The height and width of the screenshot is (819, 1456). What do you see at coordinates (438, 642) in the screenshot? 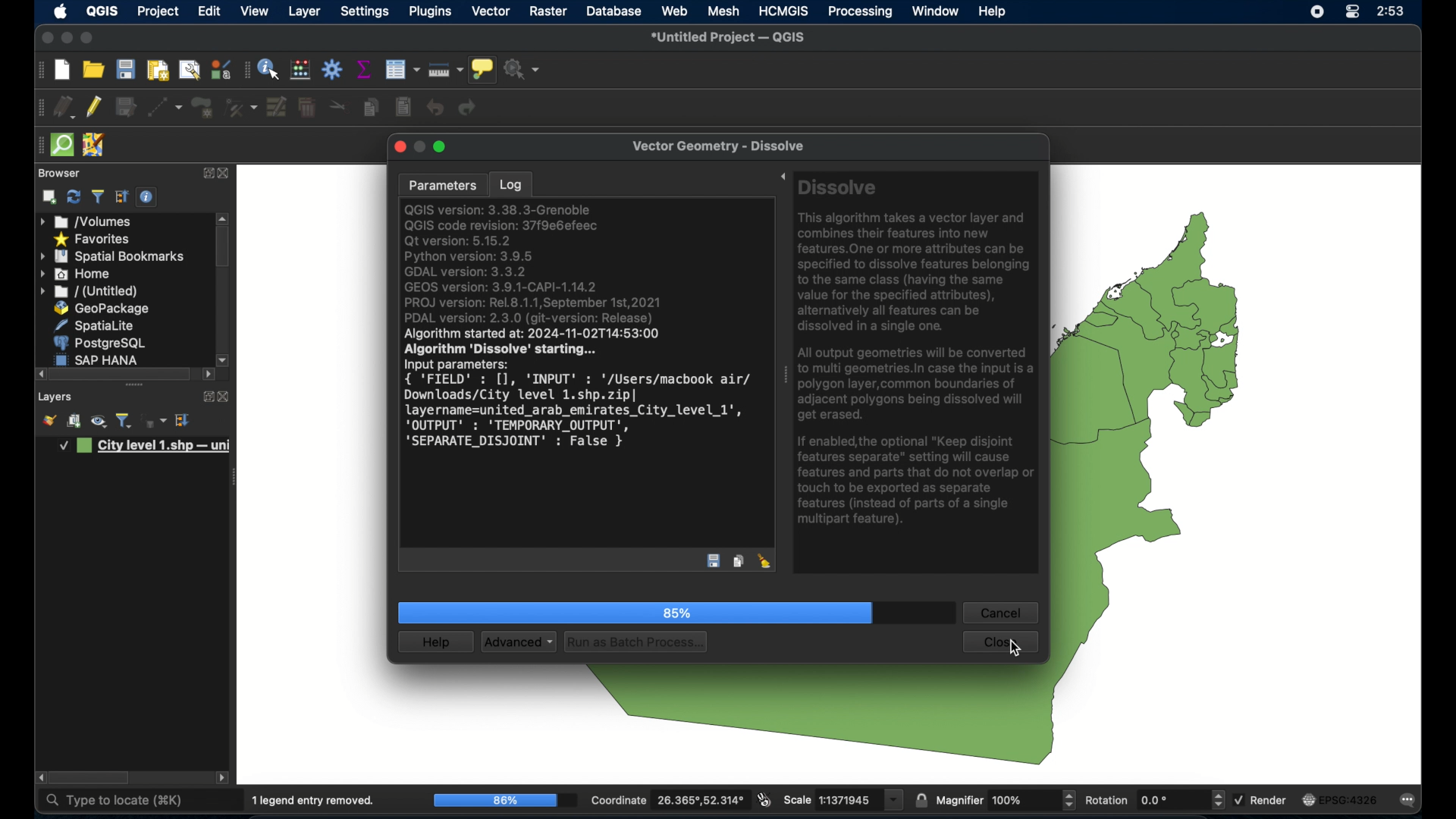
I see `help` at bounding box center [438, 642].